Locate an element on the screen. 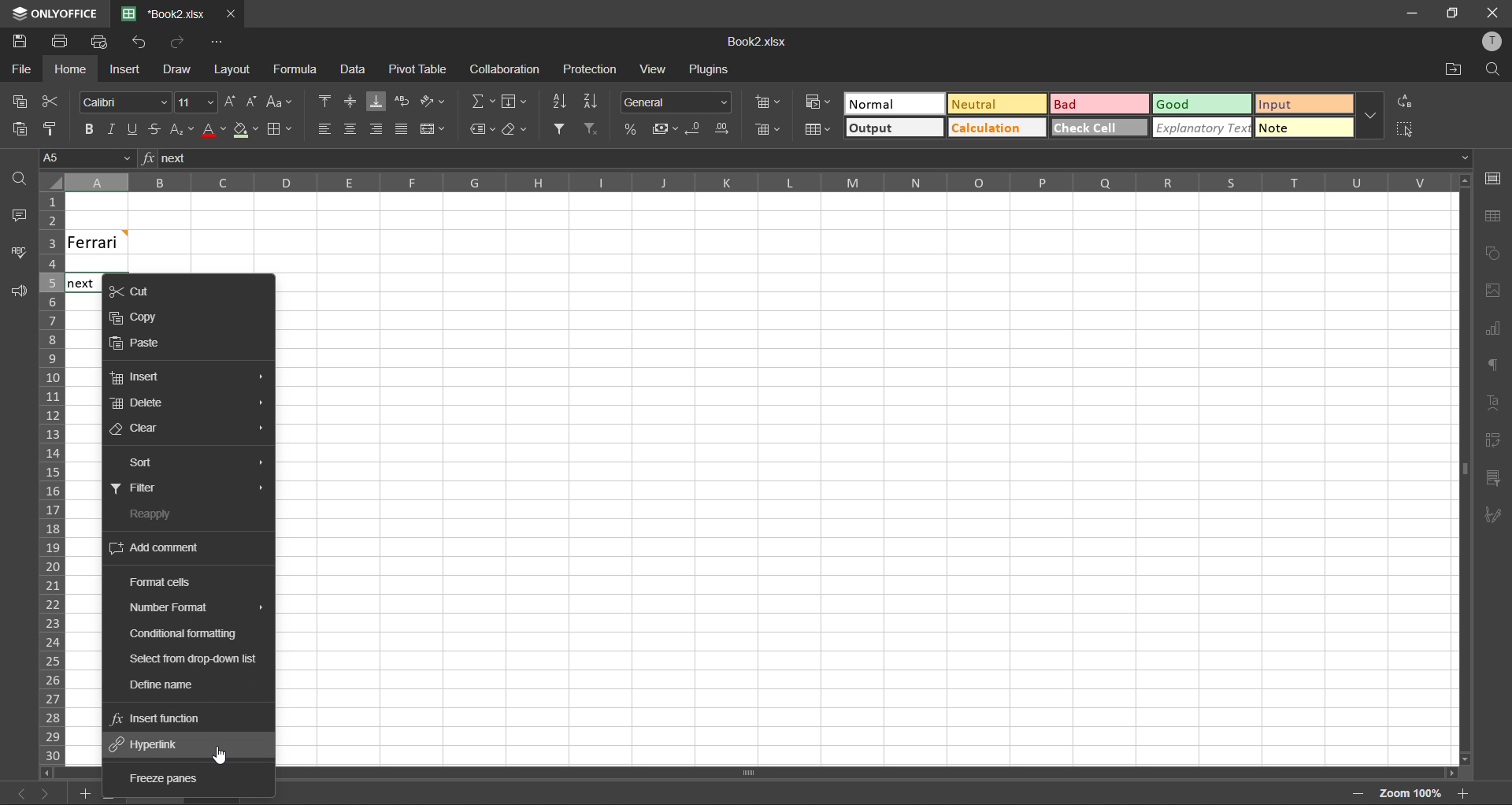  named ranges is located at coordinates (484, 129).